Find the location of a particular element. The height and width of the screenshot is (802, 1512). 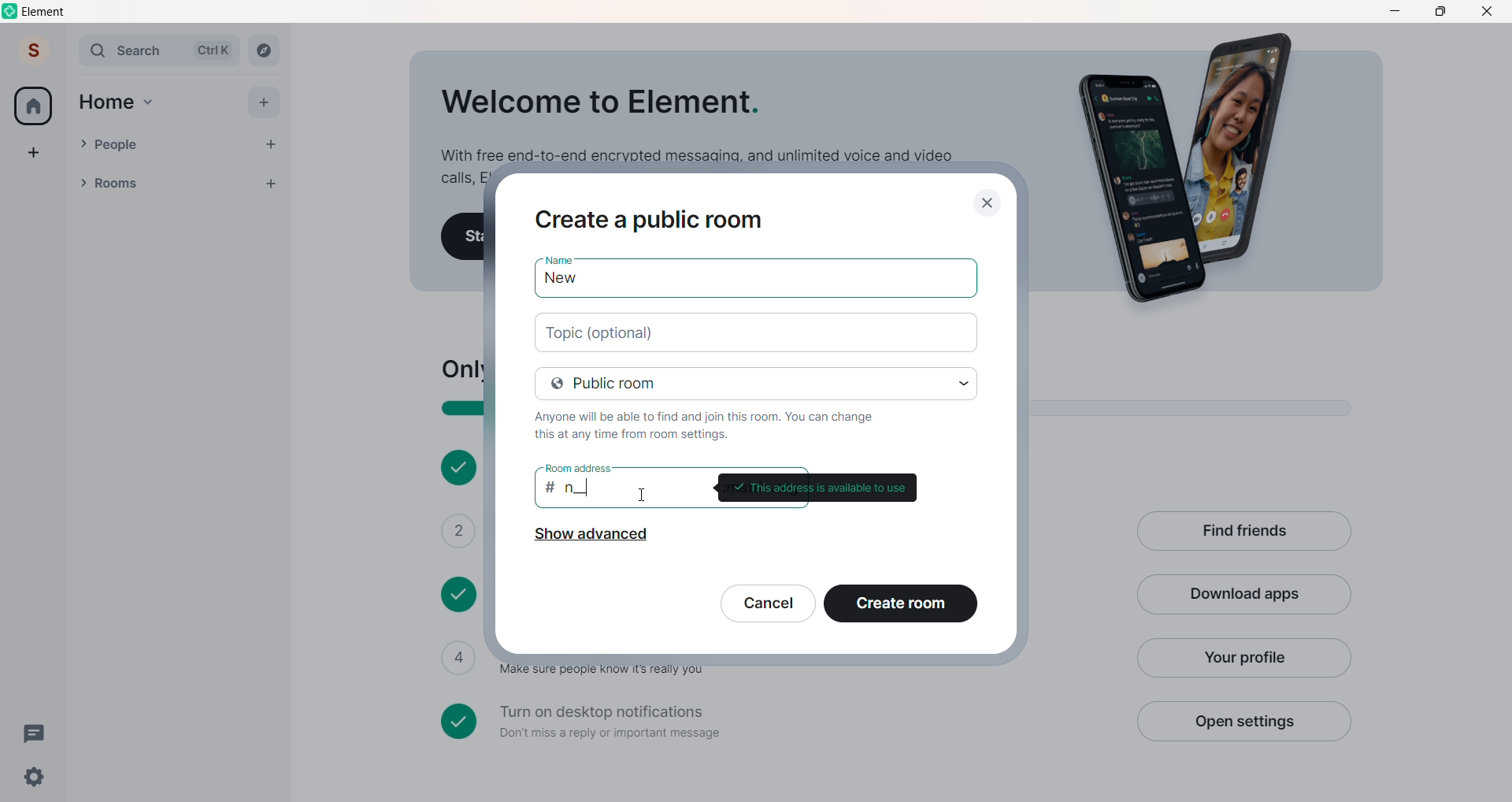

Ctrl K is located at coordinates (213, 50).